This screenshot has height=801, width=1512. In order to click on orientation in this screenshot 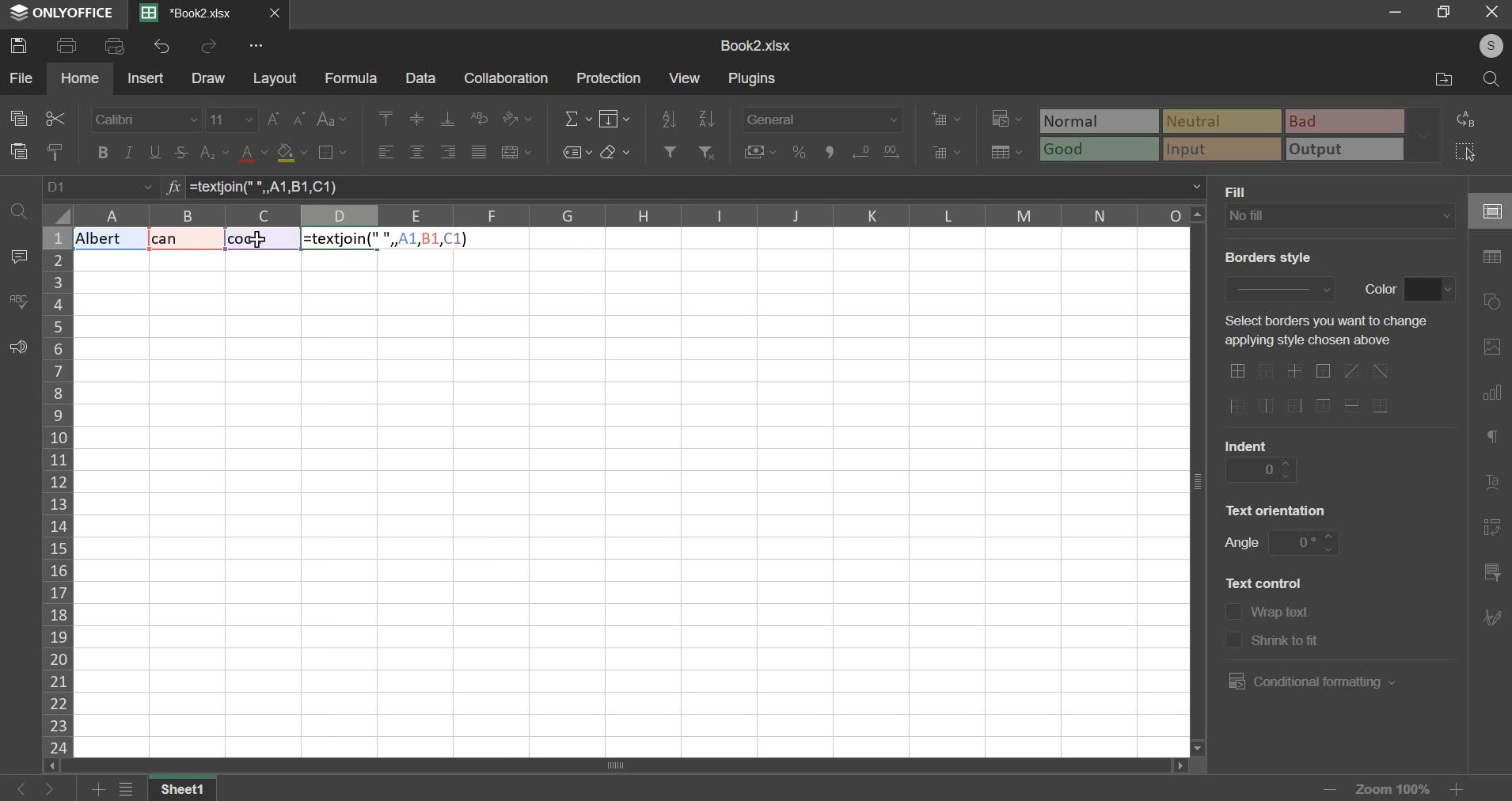, I will do `click(517, 118)`.